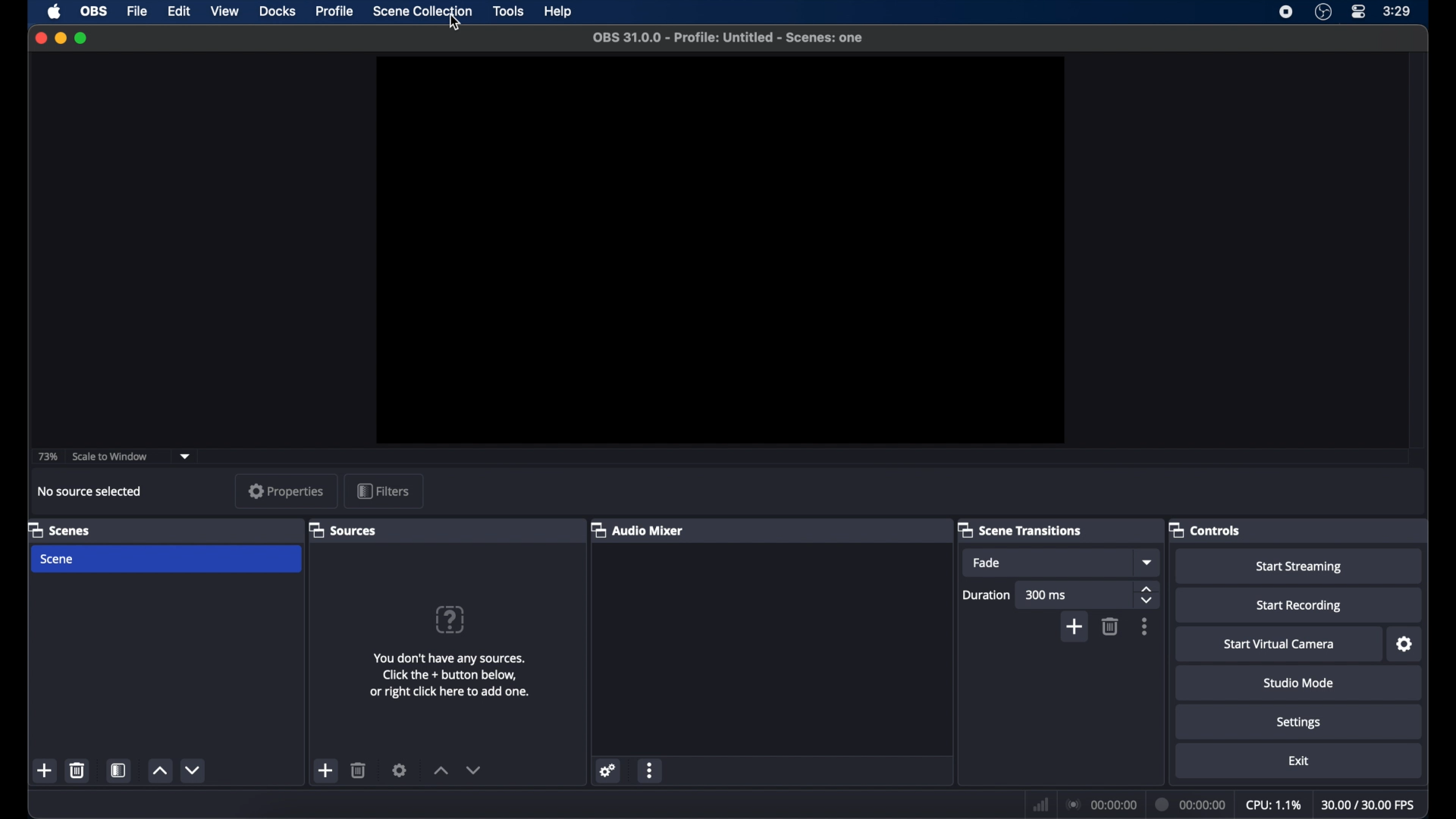 The image size is (1456, 819). I want to click on apple icon, so click(55, 12).